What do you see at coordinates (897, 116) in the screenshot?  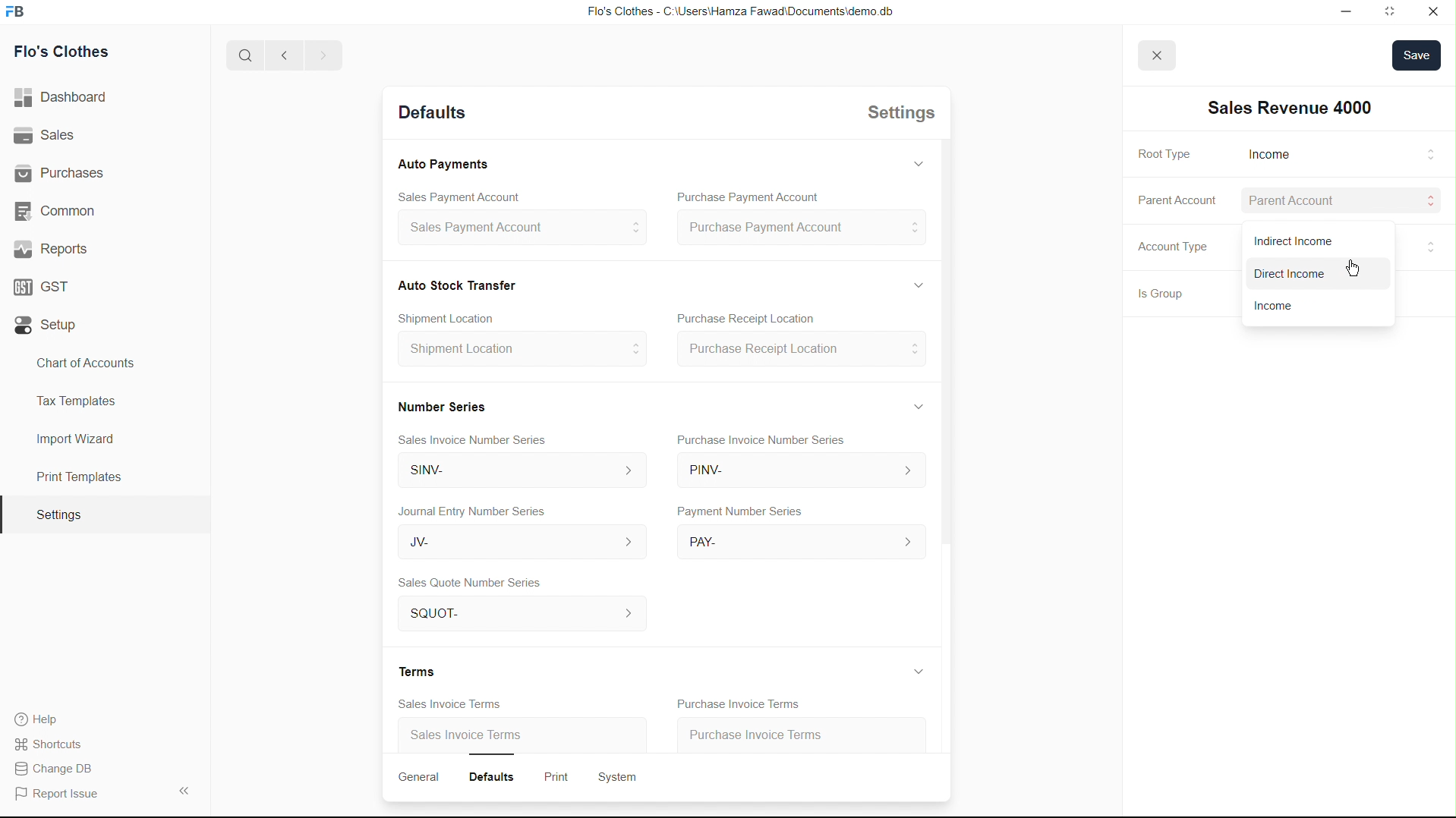 I see `Settings` at bounding box center [897, 116].